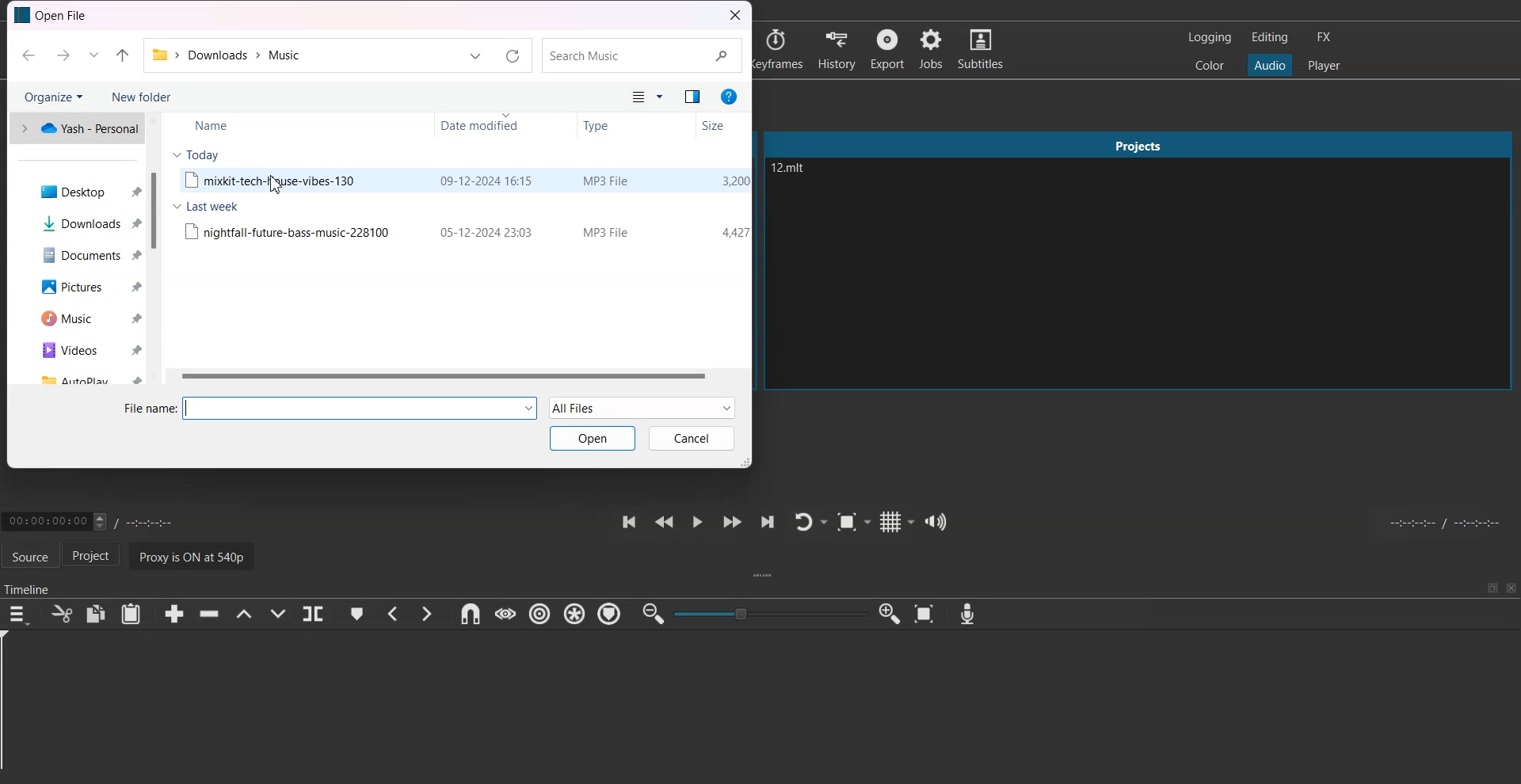 The width and height of the screenshot is (1521, 784). I want to click on Today, so click(196, 154).